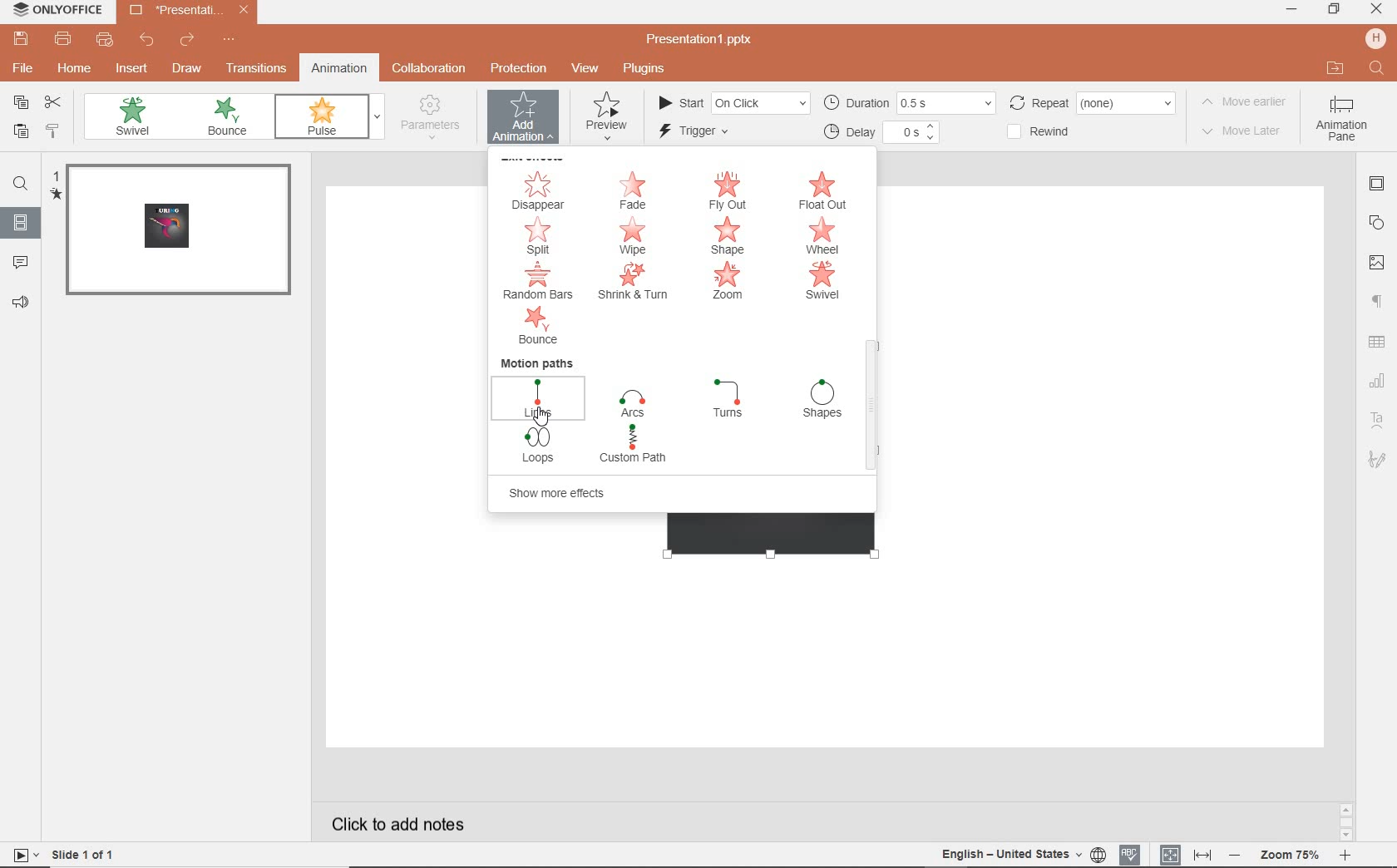 The height and width of the screenshot is (868, 1397). I want to click on custom path, so click(635, 446).